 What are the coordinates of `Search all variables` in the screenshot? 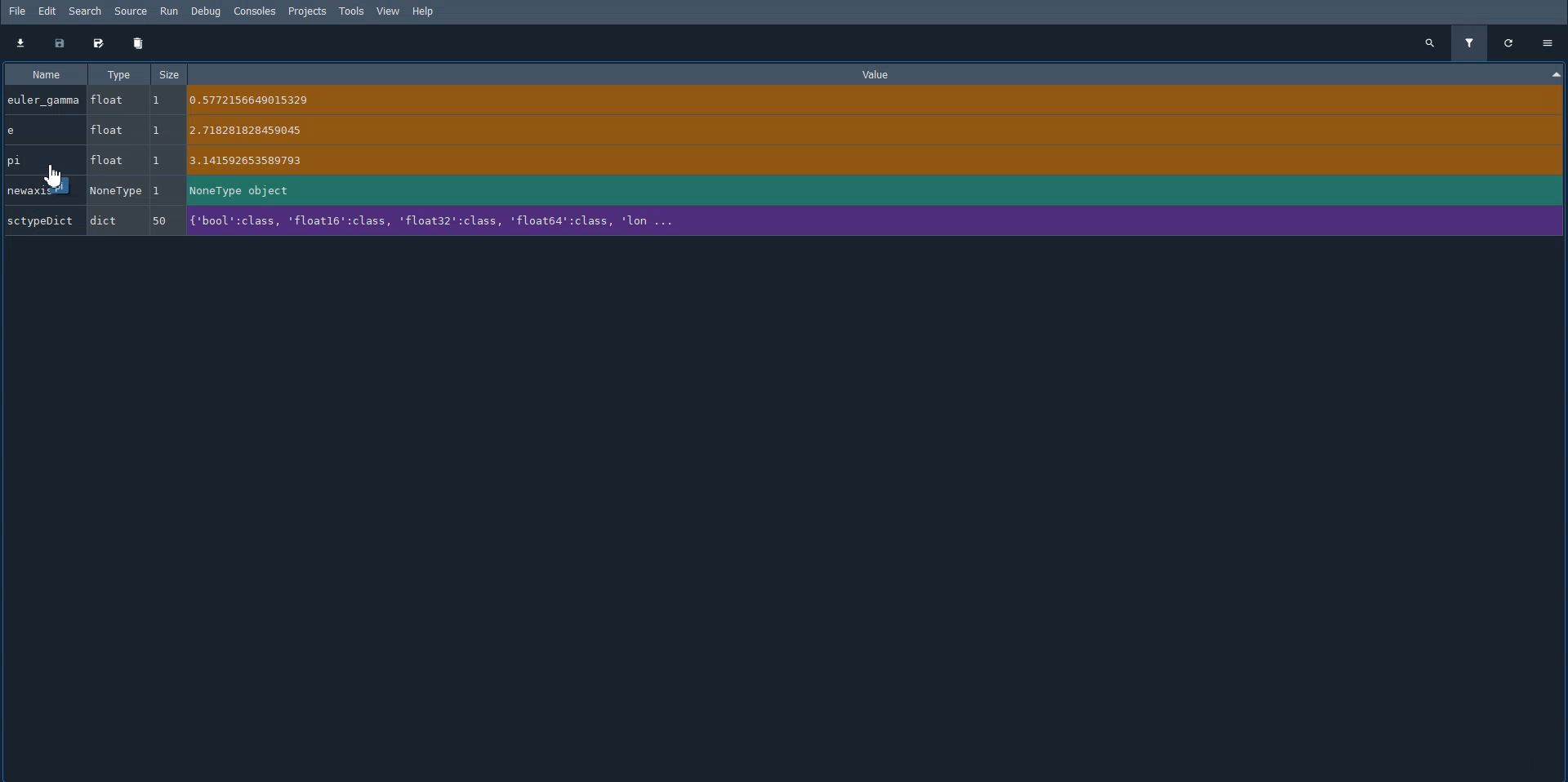 It's located at (1430, 42).